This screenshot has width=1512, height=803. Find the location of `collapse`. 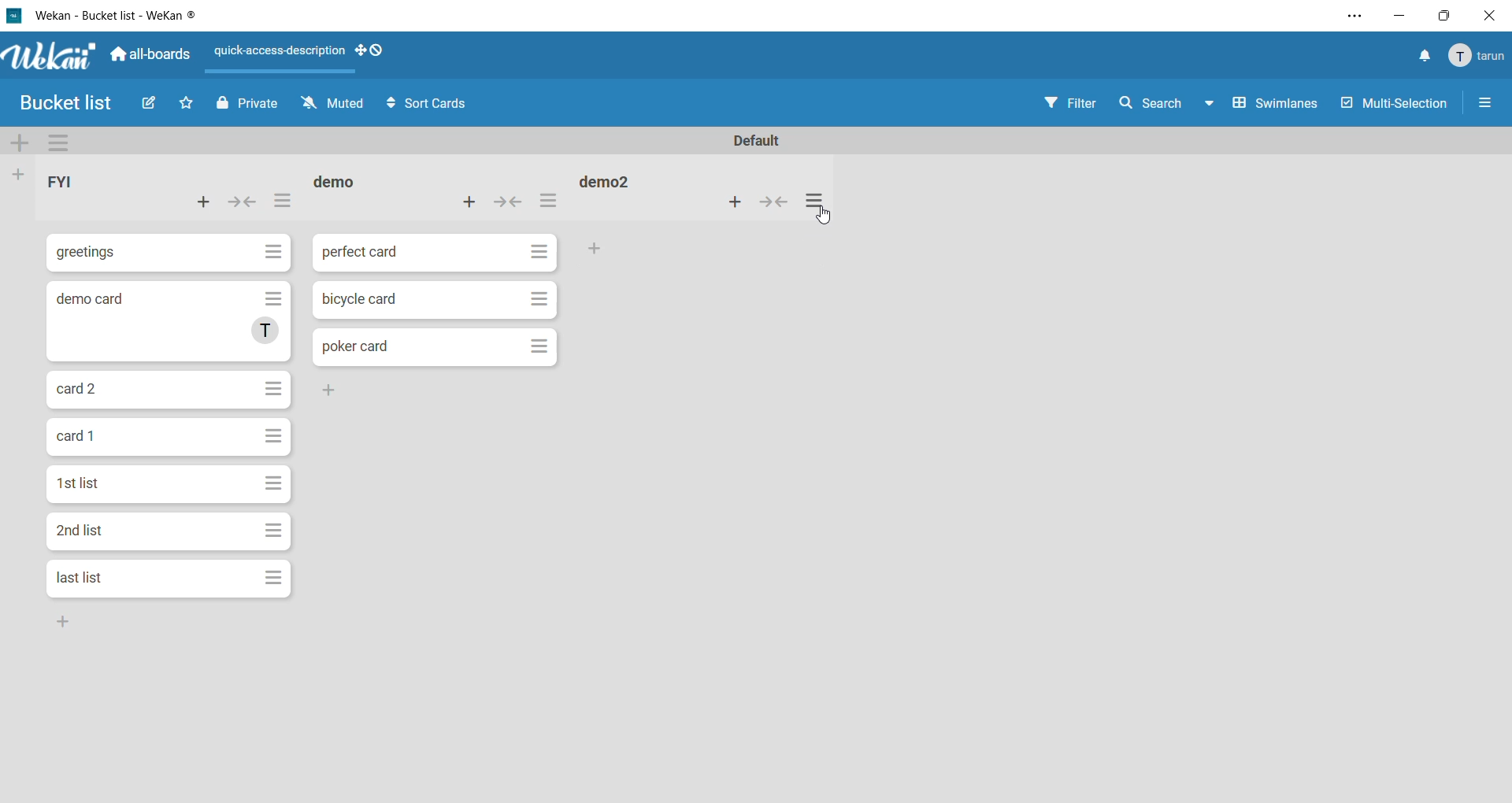

collapse is located at coordinates (774, 201).